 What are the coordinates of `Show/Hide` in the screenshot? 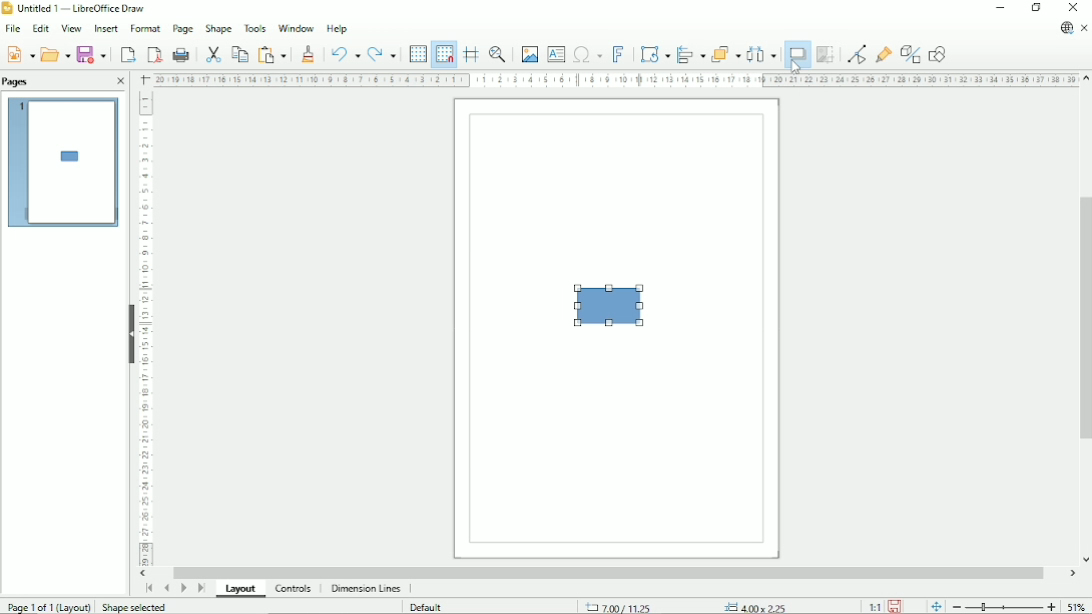 It's located at (132, 332).